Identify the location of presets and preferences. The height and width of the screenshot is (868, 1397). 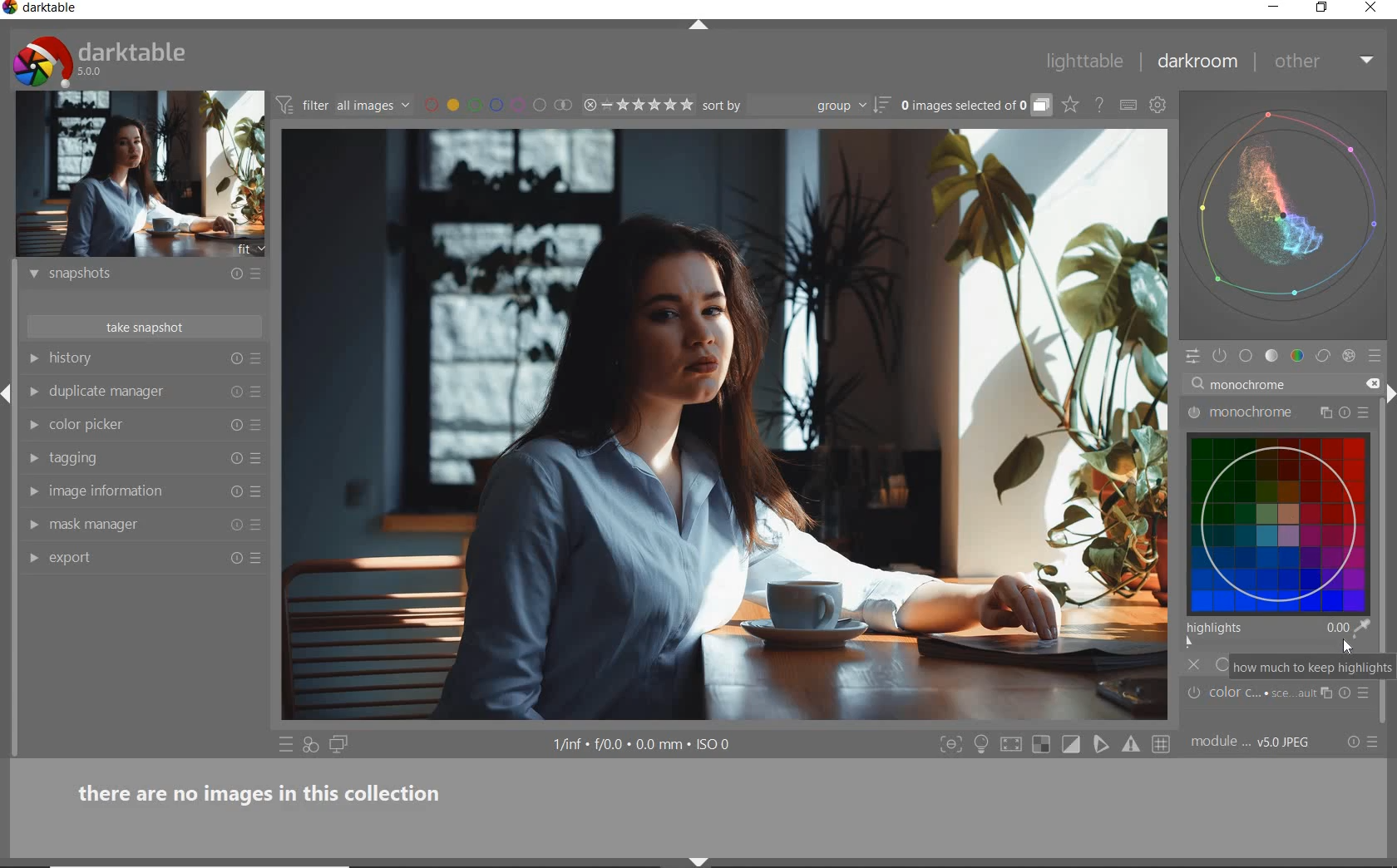
(255, 359).